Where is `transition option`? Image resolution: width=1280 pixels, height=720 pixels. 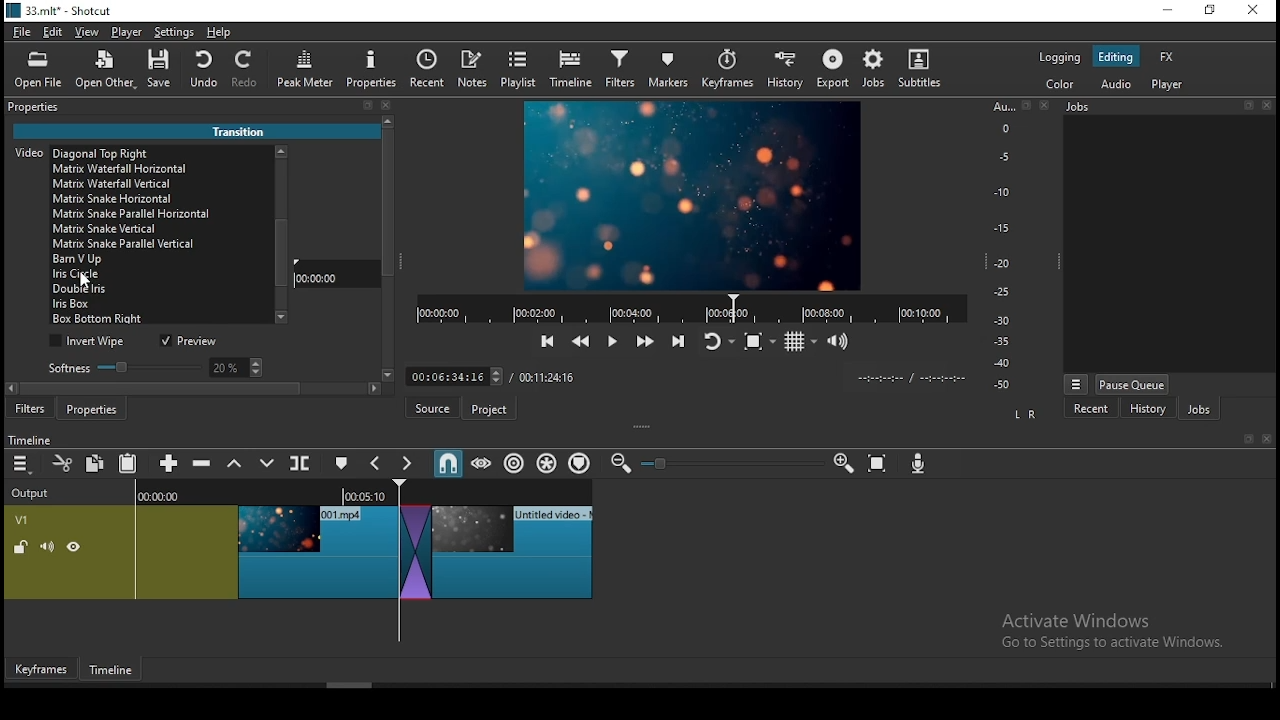 transition option is located at coordinates (156, 230).